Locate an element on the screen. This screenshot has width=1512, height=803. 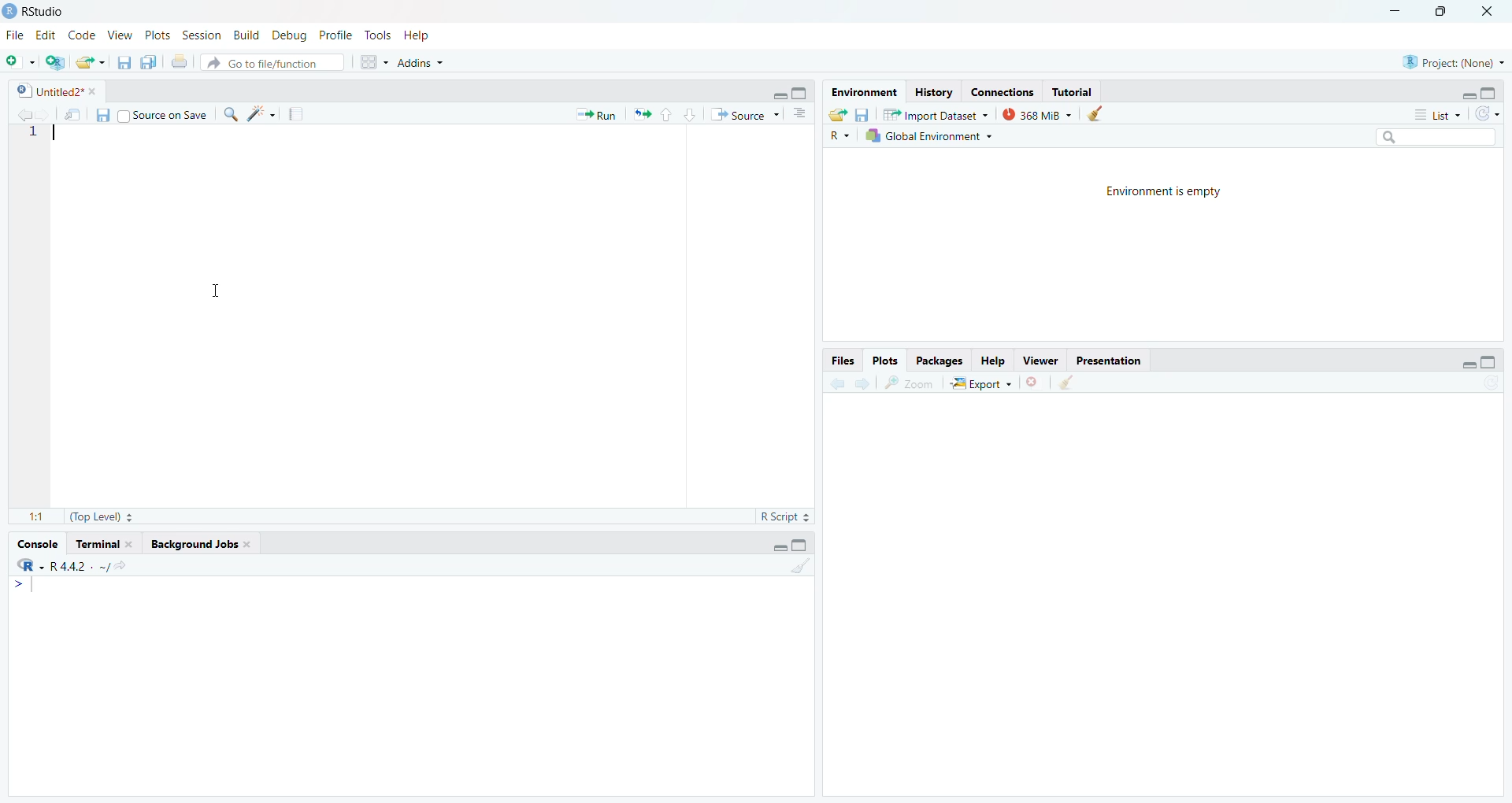
back is located at coordinates (18, 114).